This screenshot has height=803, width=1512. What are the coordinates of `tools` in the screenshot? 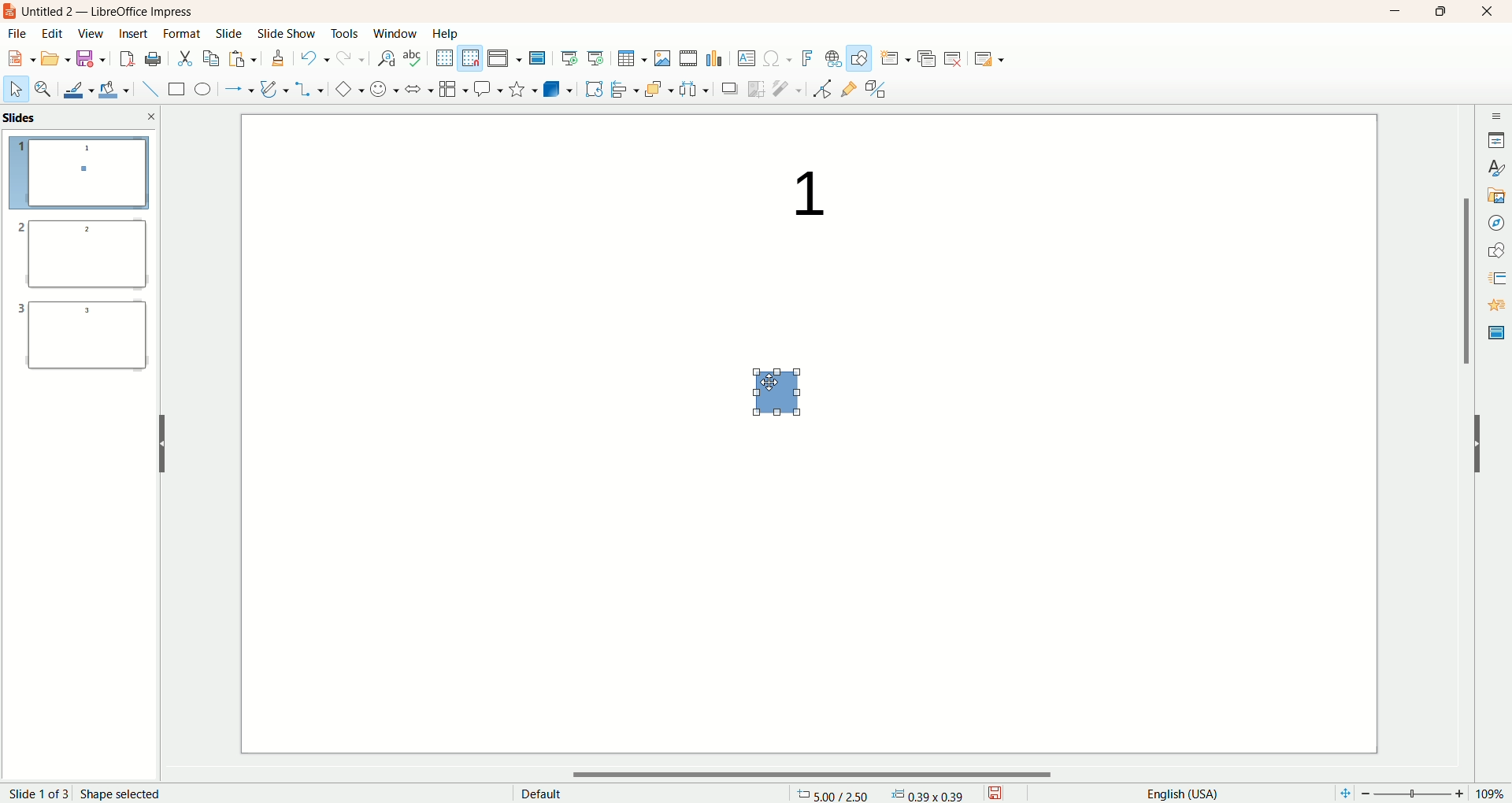 It's located at (346, 37).